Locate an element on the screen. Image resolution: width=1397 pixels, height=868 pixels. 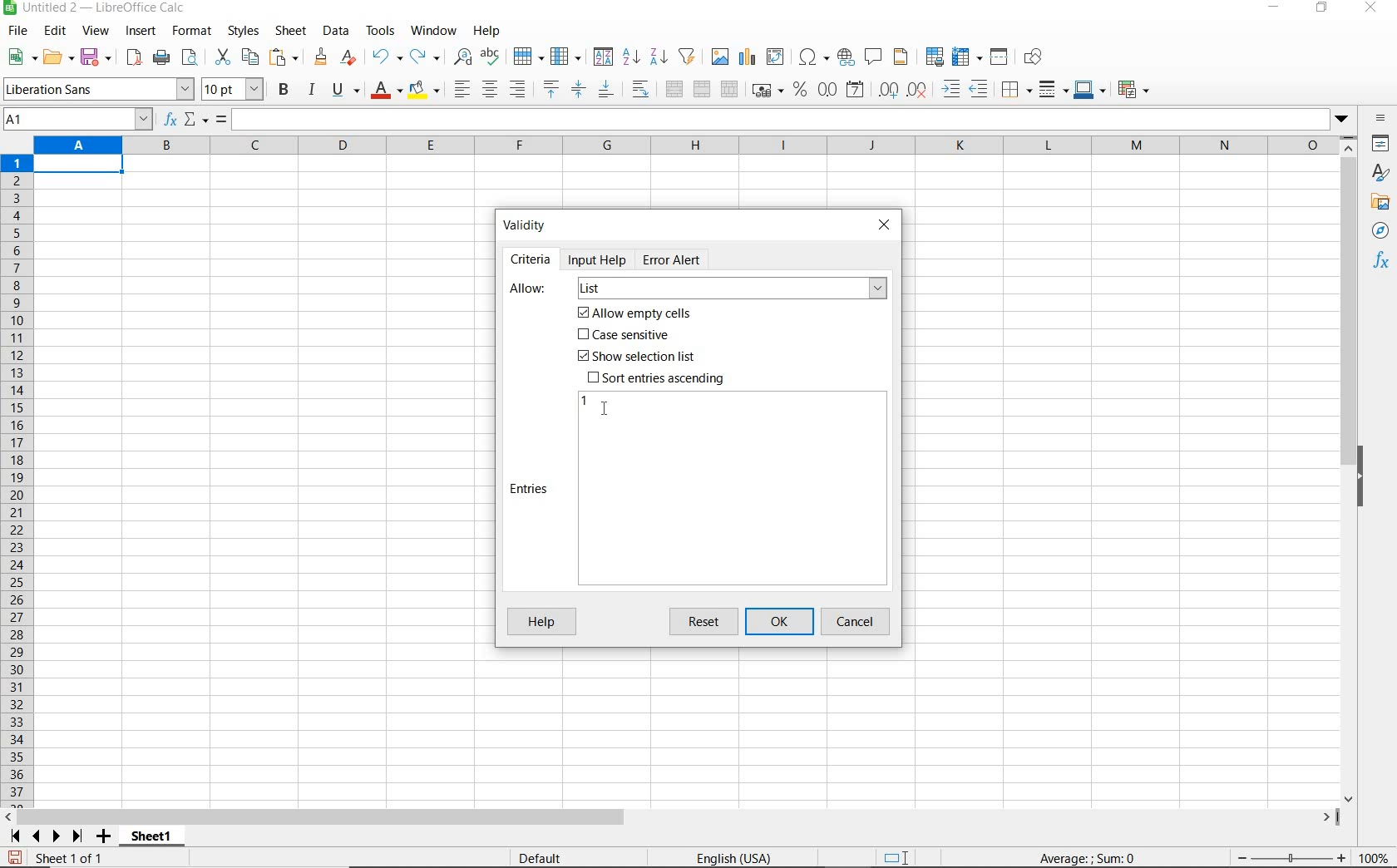
formula is located at coordinates (221, 121).